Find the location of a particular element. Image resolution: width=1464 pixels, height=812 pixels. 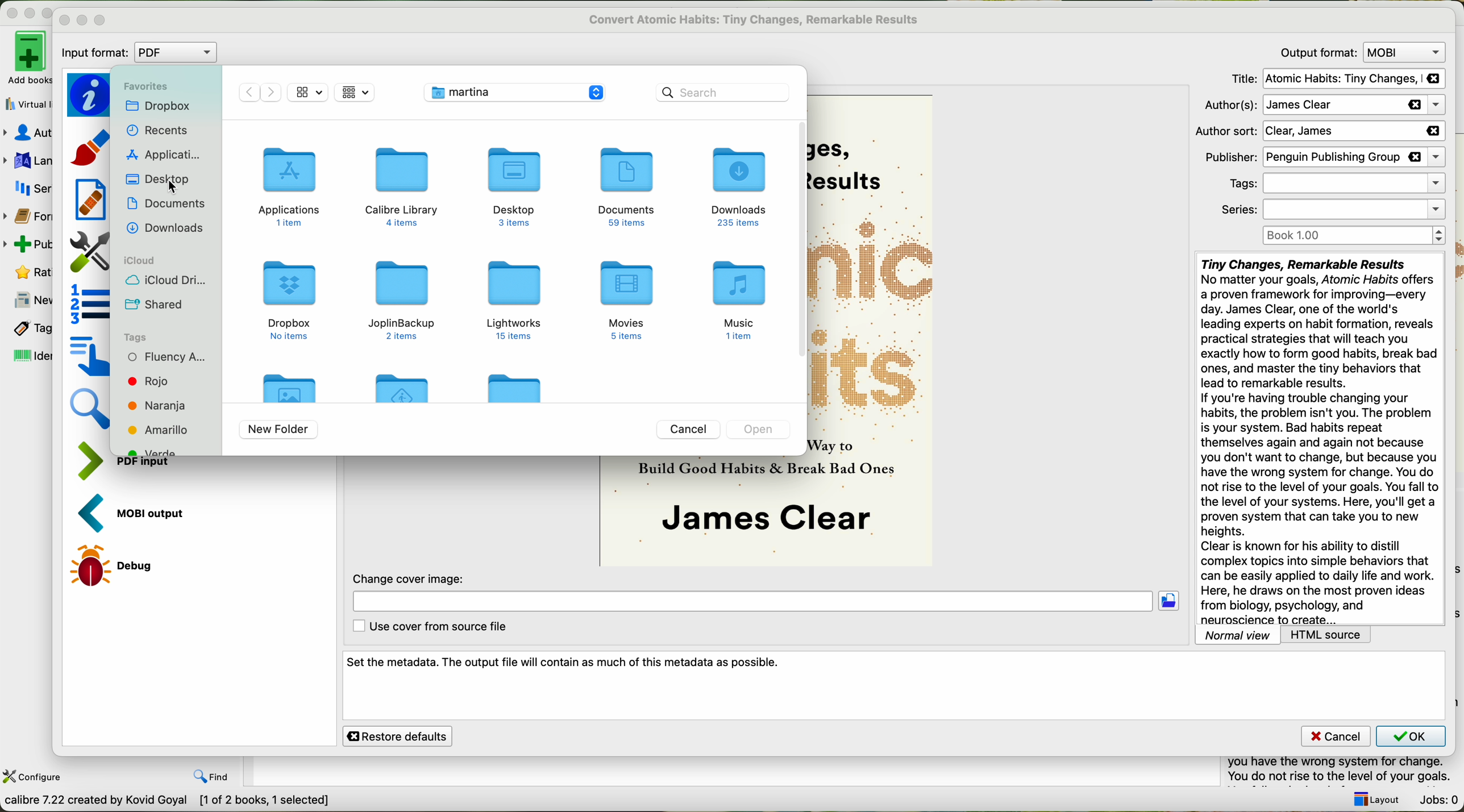

series is located at coordinates (33, 190).